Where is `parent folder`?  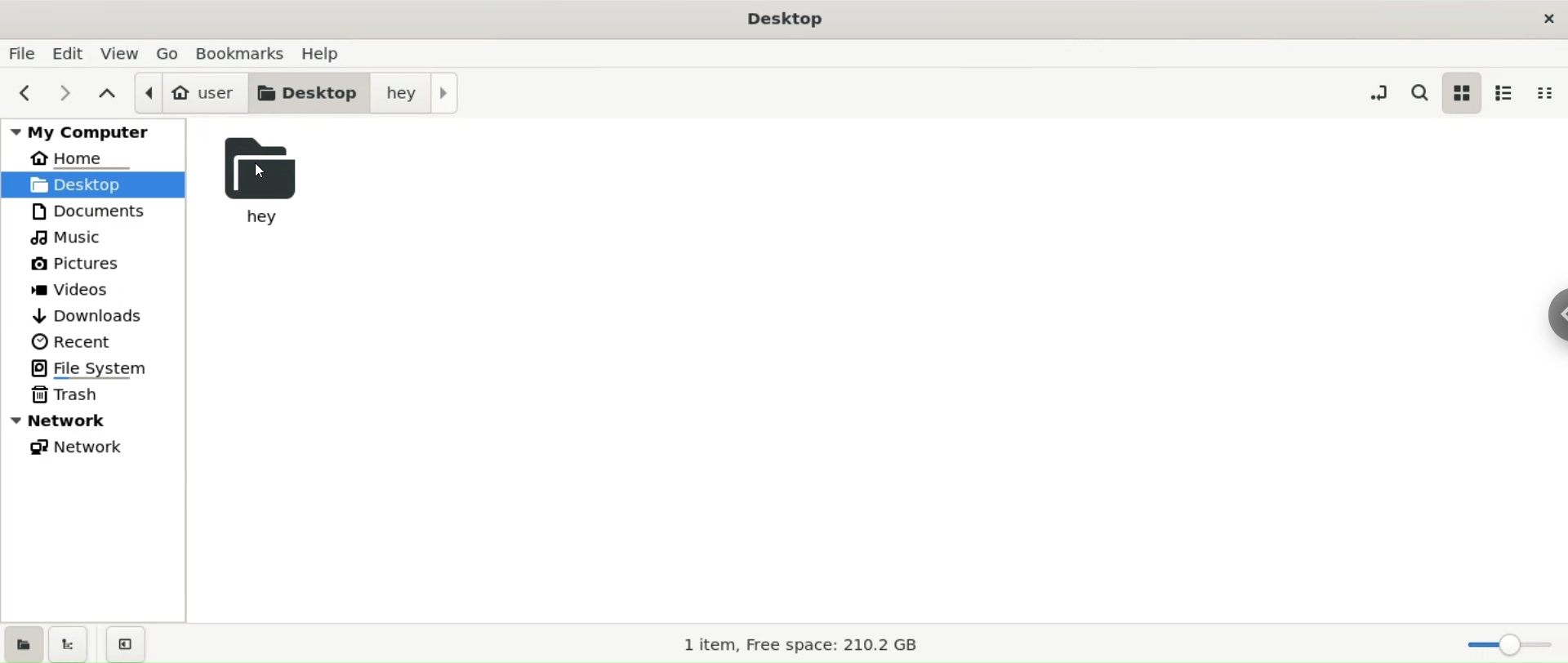
parent folder is located at coordinates (109, 94).